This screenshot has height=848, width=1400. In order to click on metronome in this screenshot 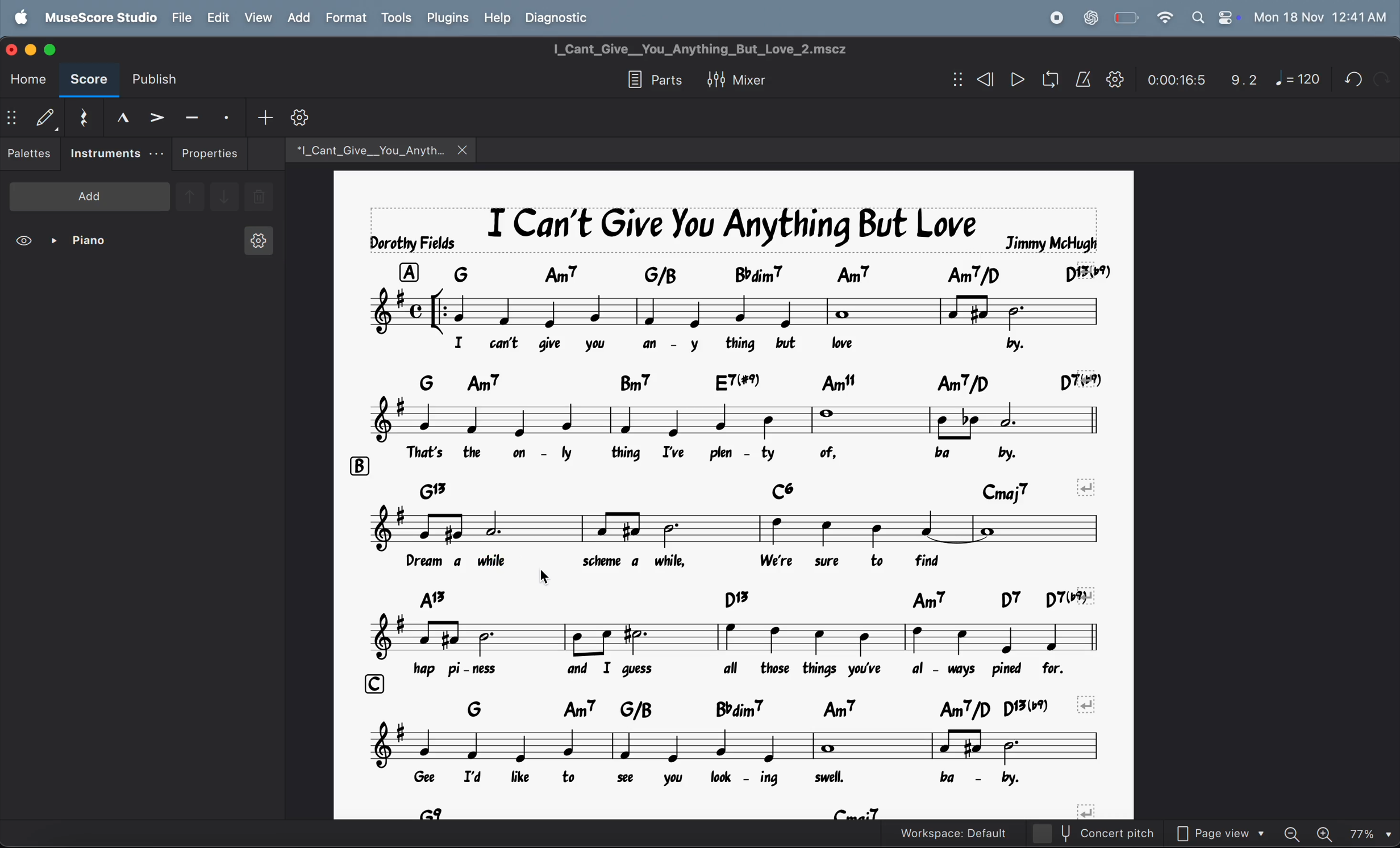, I will do `click(1083, 79)`.